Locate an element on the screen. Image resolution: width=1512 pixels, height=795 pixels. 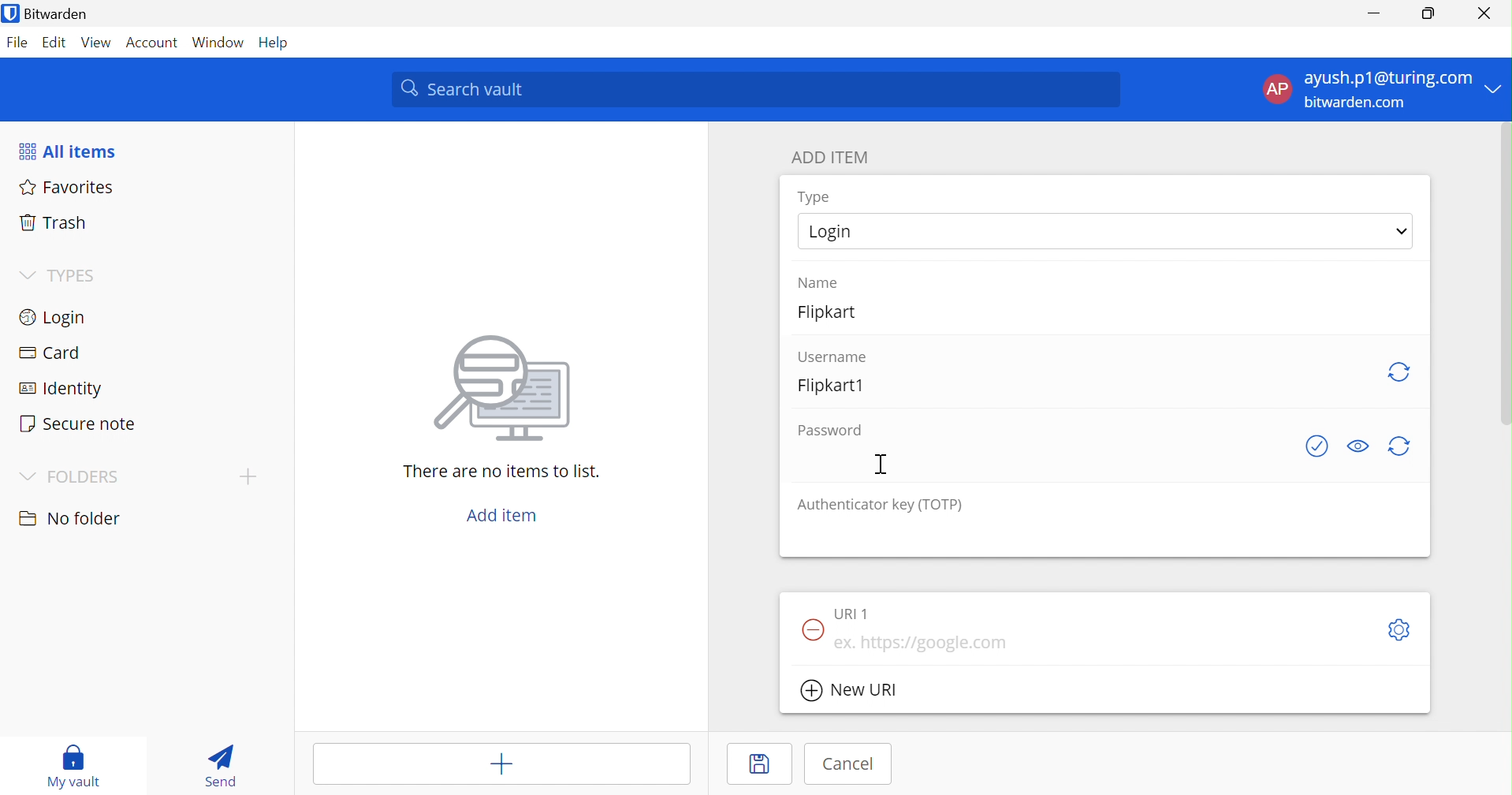
Account is located at coordinates (153, 43).